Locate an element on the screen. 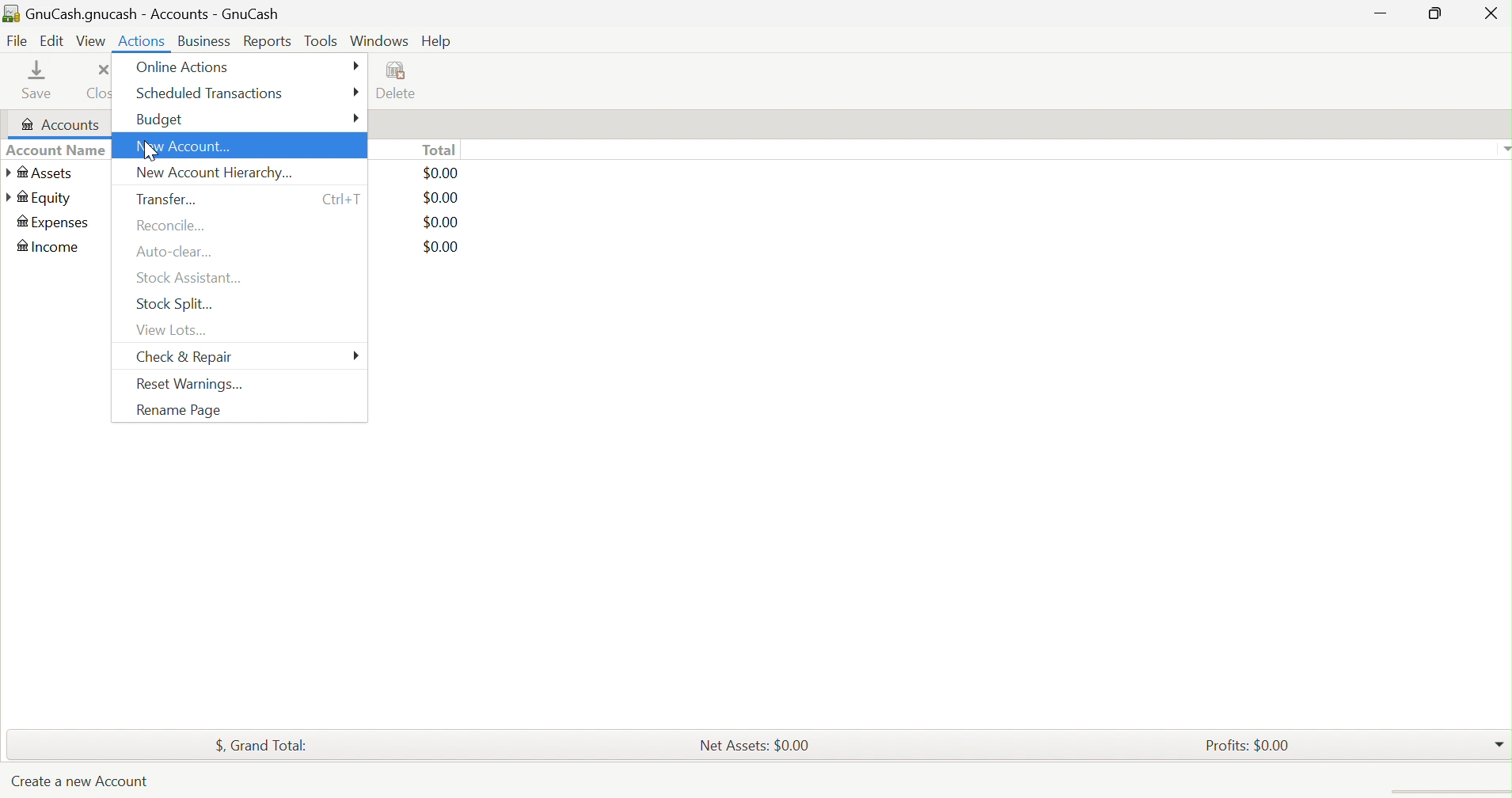  Total is located at coordinates (439, 150).